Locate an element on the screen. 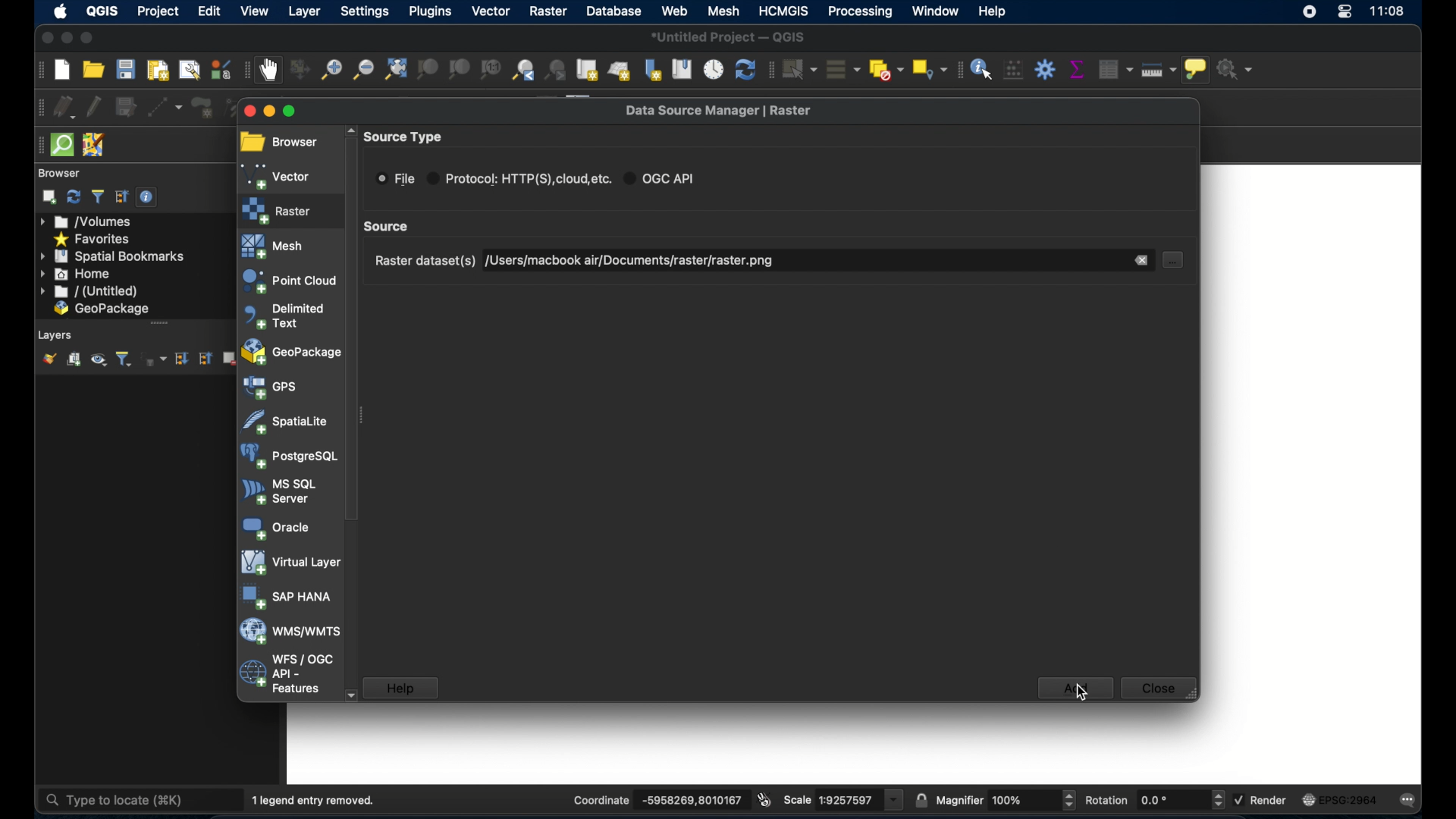 This screenshot has width=1456, height=819. select features by area or single click is located at coordinates (799, 68).